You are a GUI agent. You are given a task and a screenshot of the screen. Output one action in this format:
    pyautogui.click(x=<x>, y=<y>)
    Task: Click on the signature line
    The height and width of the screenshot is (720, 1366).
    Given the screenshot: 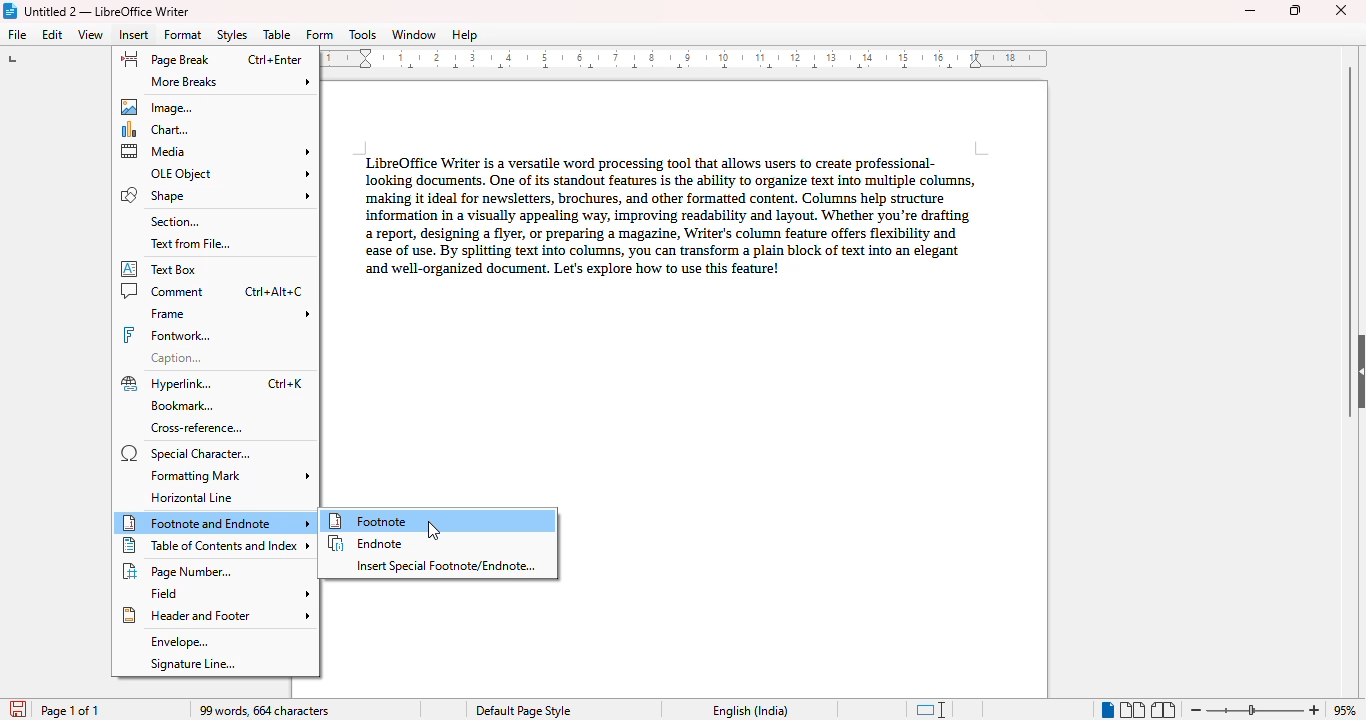 What is the action you would take?
    pyautogui.click(x=193, y=664)
    